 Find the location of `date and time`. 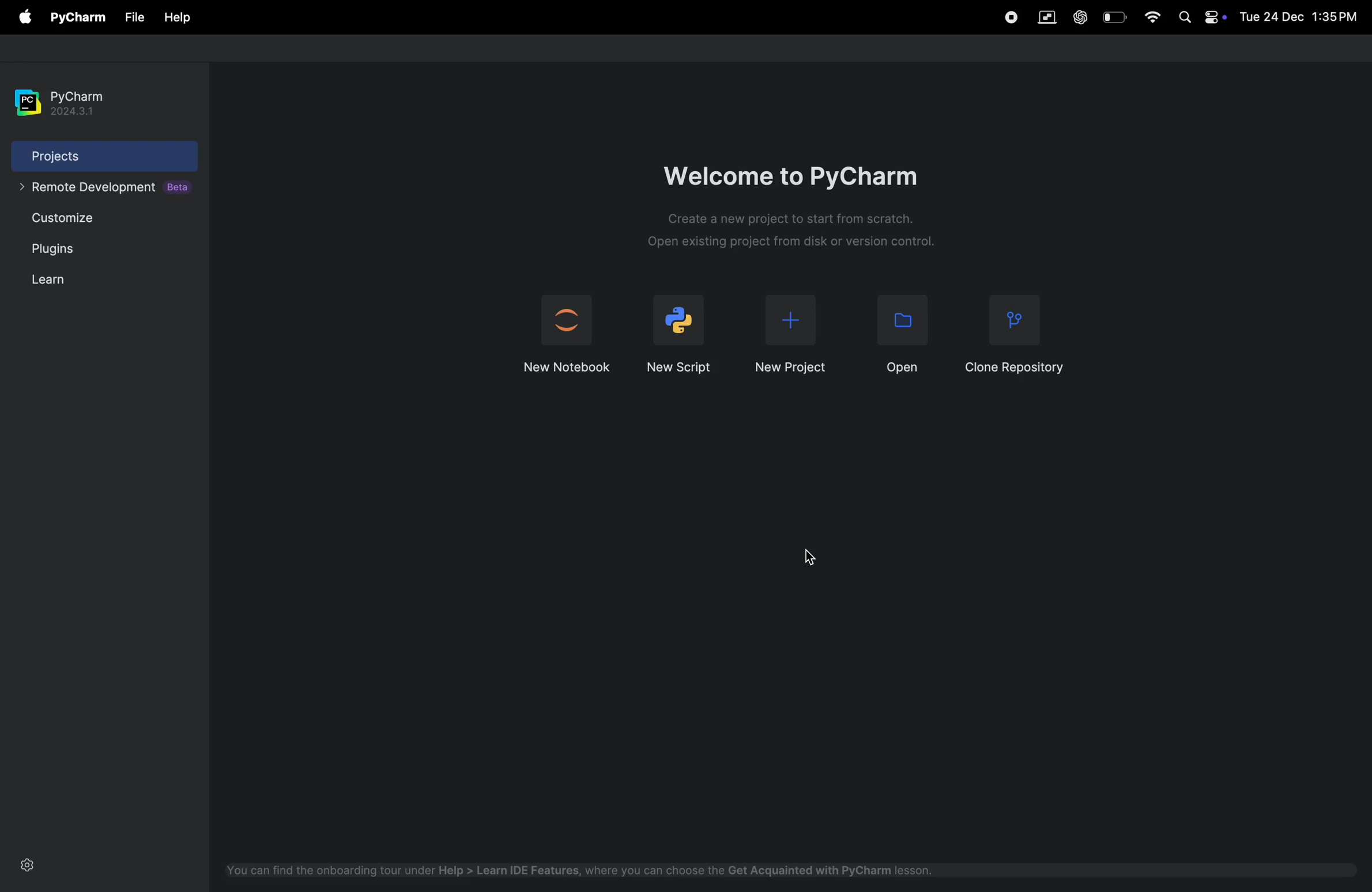

date and time is located at coordinates (1299, 14).